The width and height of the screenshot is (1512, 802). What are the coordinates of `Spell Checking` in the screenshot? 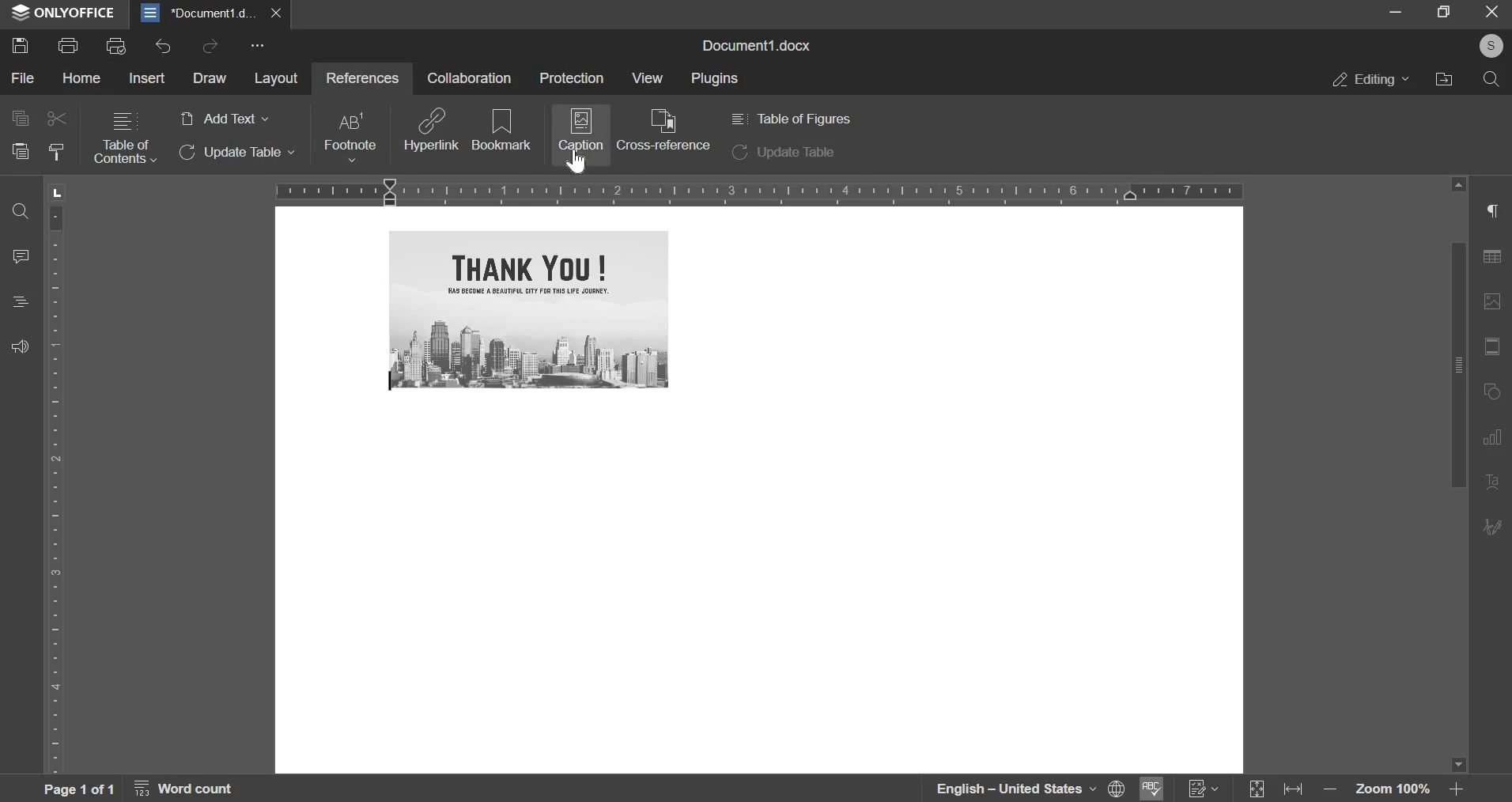 It's located at (1149, 789).